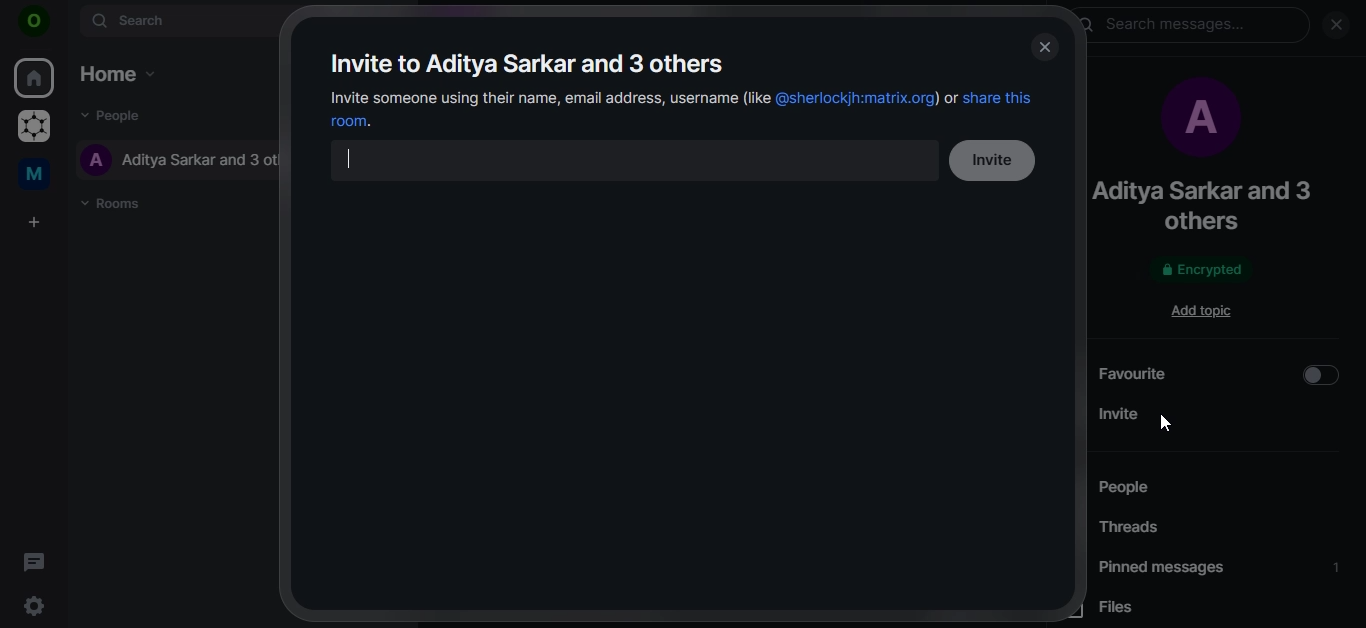 The image size is (1366, 628). Describe the element at coordinates (683, 109) in the screenshot. I see `invite someone using their name, email address, username or share this room.` at that location.